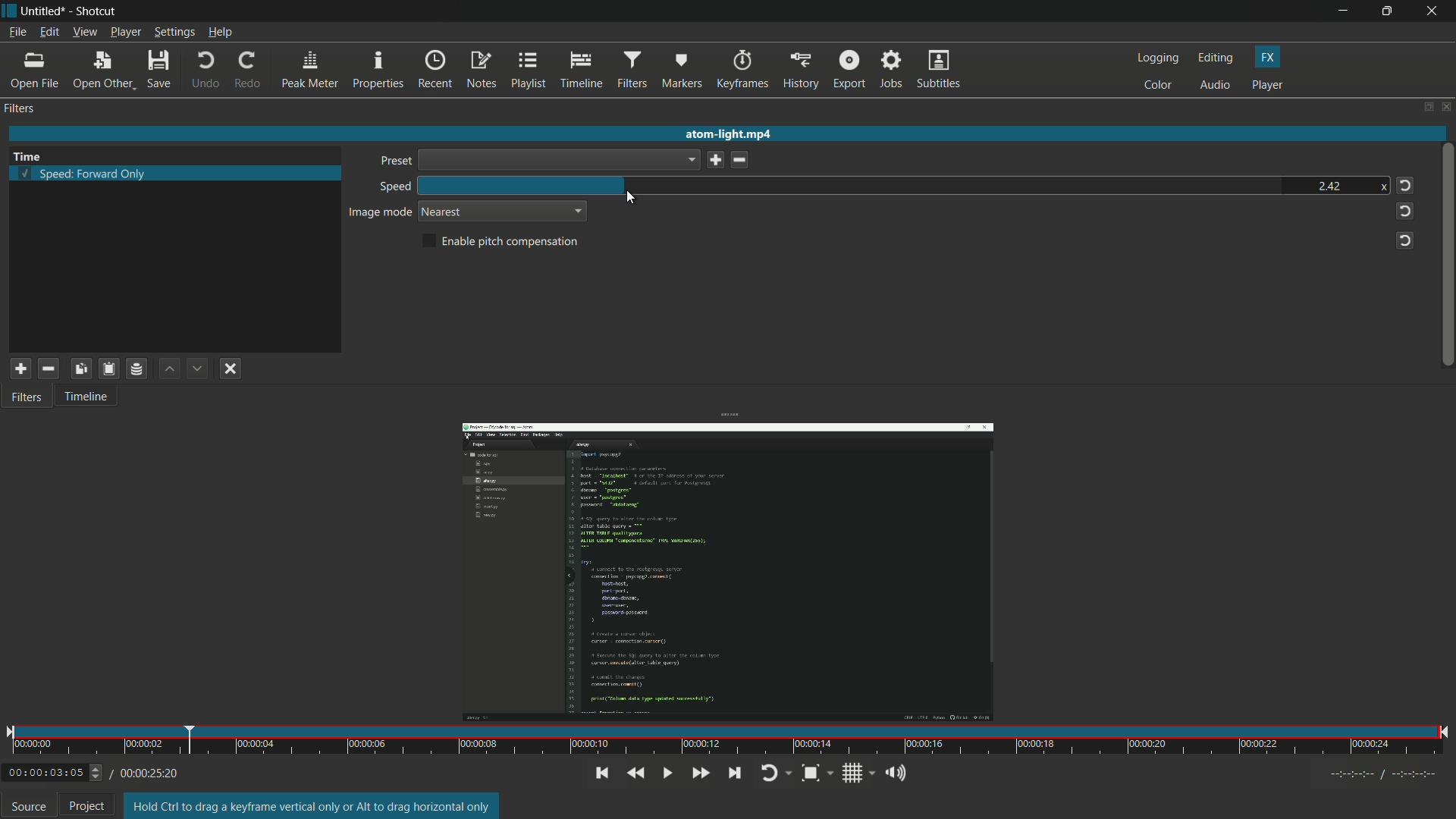 The width and height of the screenshot is (1456, 819). I want to click on 2.42, so click(1328, 184).